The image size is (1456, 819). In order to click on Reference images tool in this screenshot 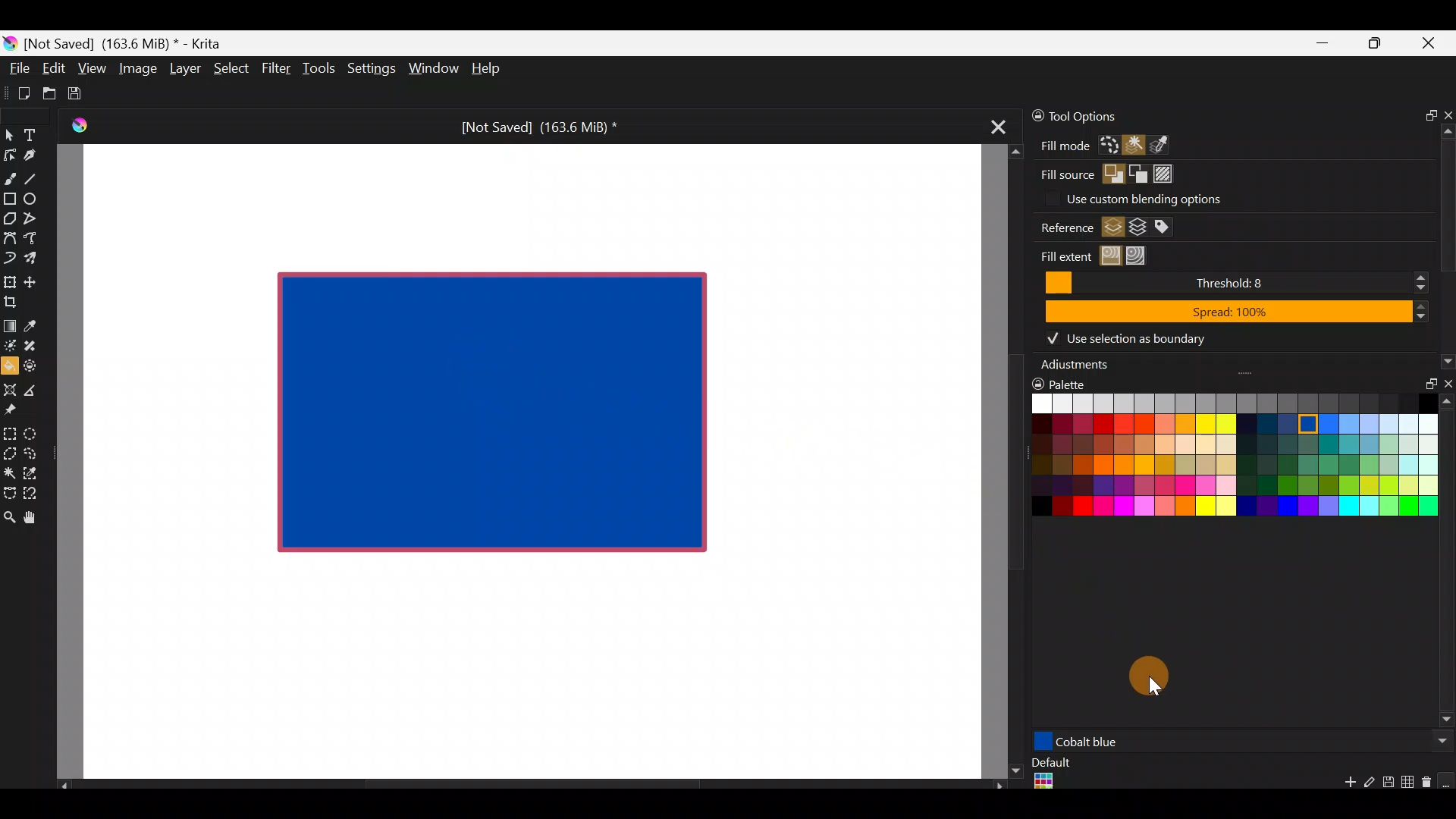, I will do `click(17, 412)`.